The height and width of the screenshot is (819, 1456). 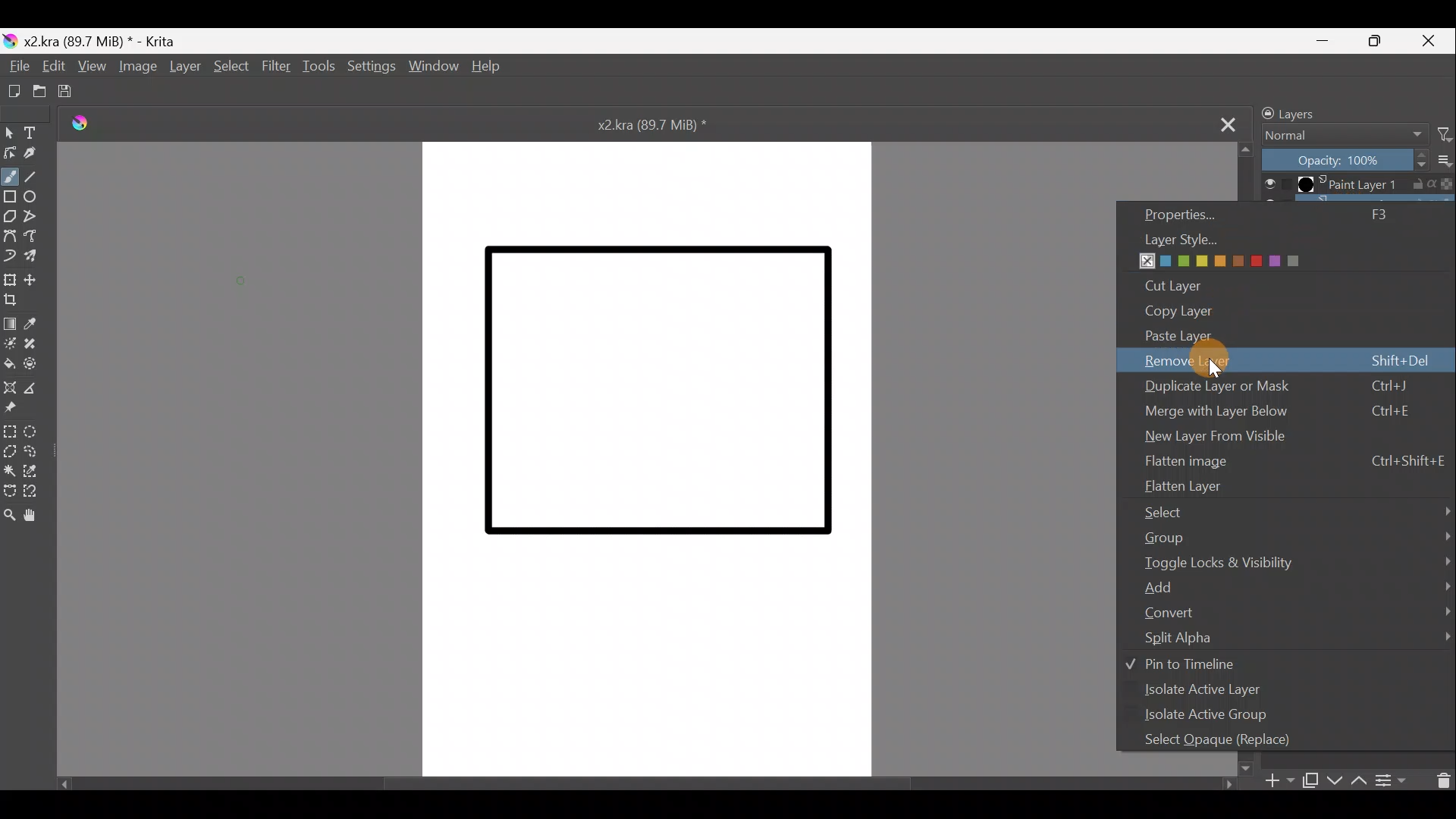 What do you see at coordinates (52, 68) in the screenshot?
I see `Edit` at bounding box center [52, 68].